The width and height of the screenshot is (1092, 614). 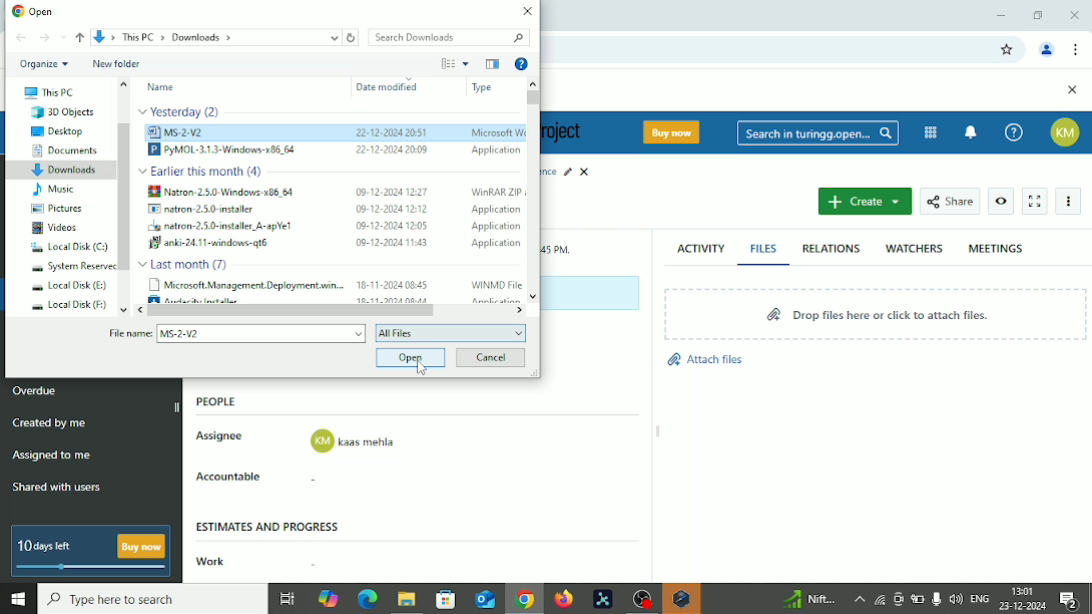 What do you see at coordinates (930, 132) in the screenshot?
I see `Modules` at bounding box center [930, 132].